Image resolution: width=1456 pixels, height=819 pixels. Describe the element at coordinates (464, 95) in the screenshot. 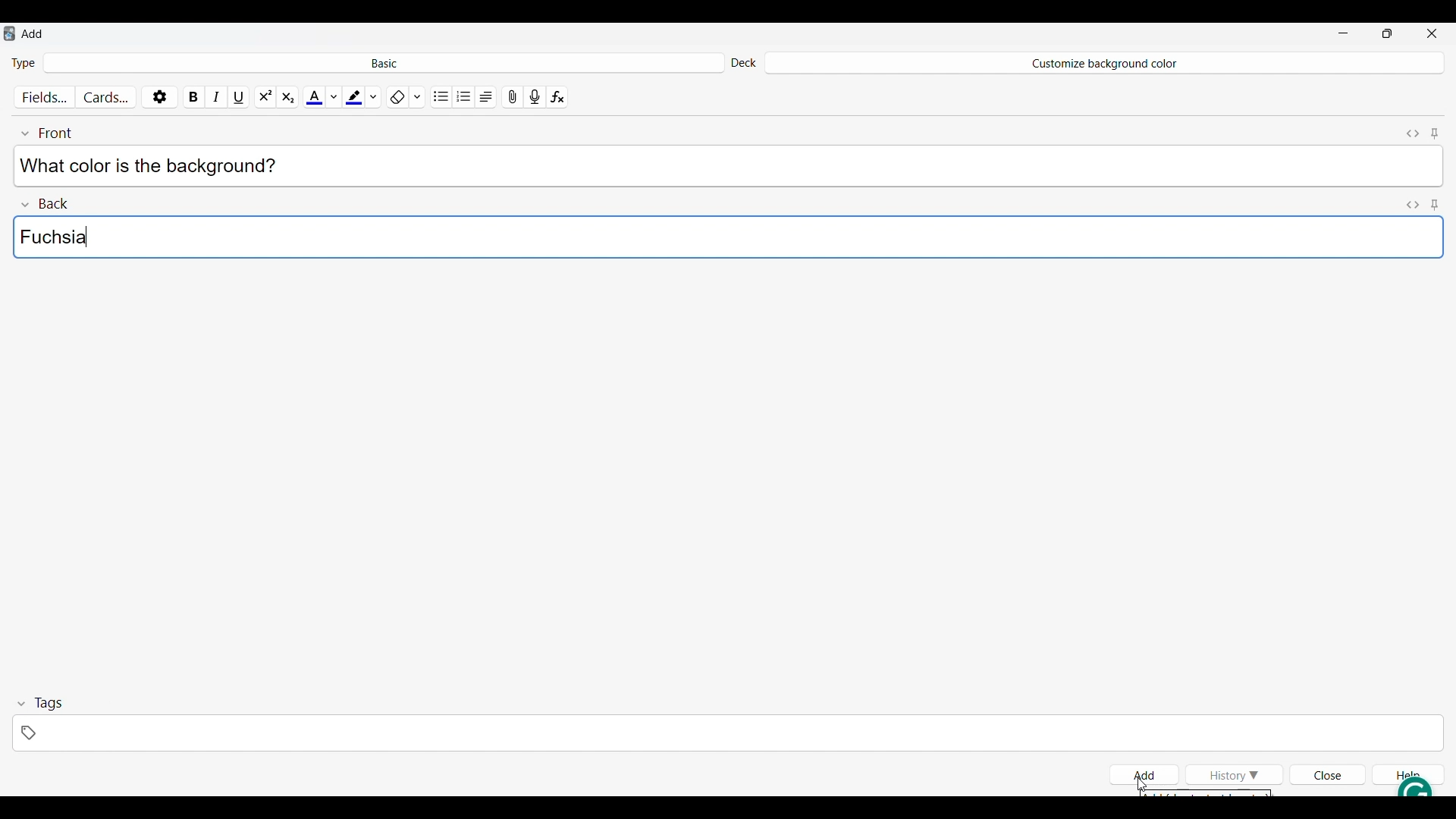

I see `Ordered list` at that location.